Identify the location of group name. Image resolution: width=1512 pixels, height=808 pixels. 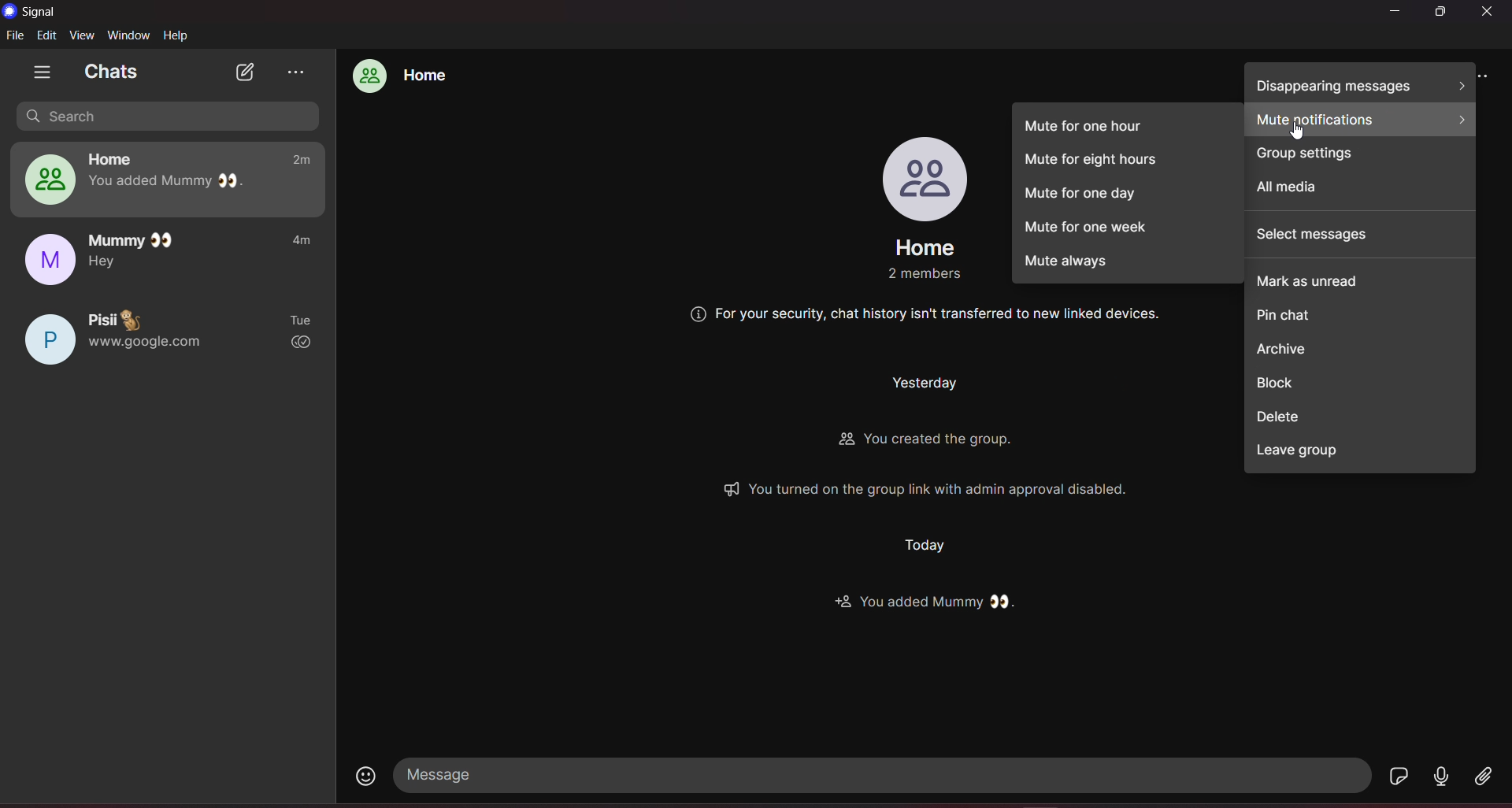
(926, 247).